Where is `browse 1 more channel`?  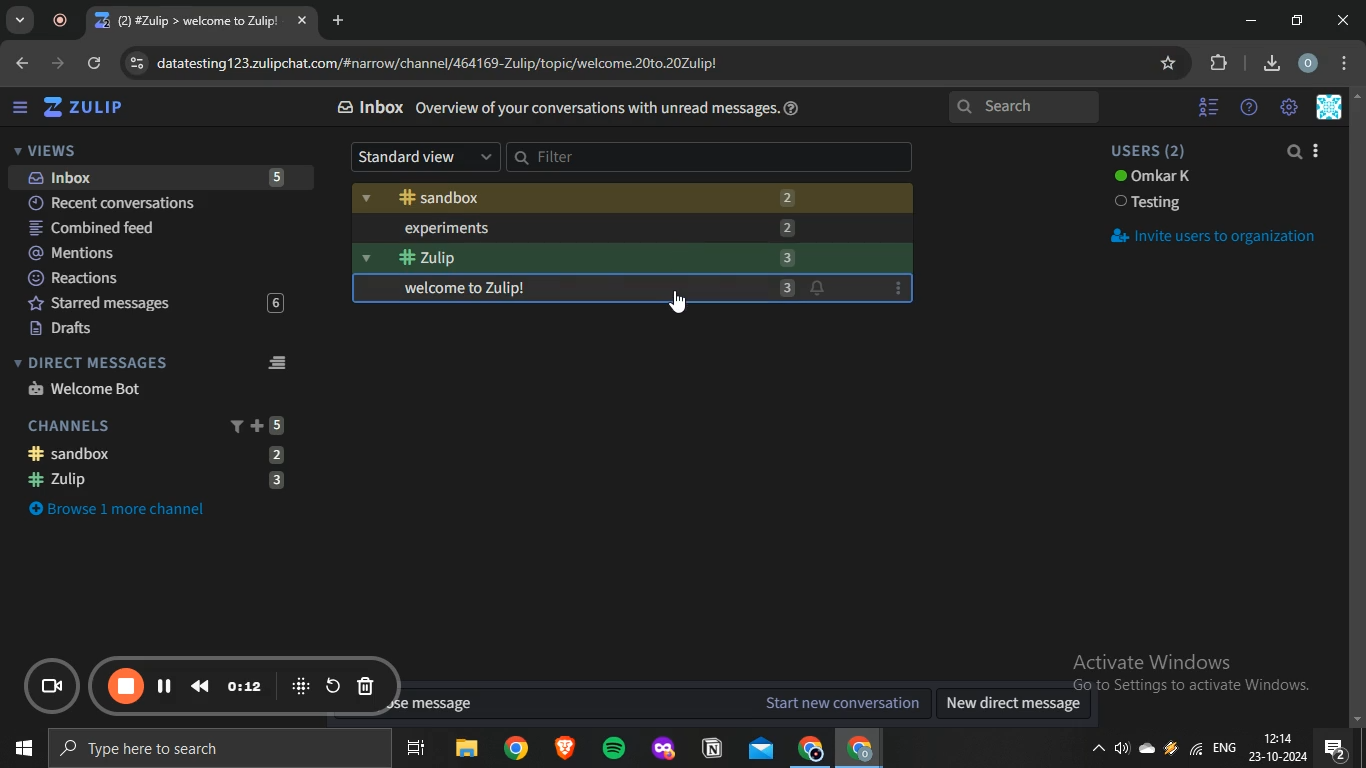 browse 1 more channel is located at coordinates (130, 507).